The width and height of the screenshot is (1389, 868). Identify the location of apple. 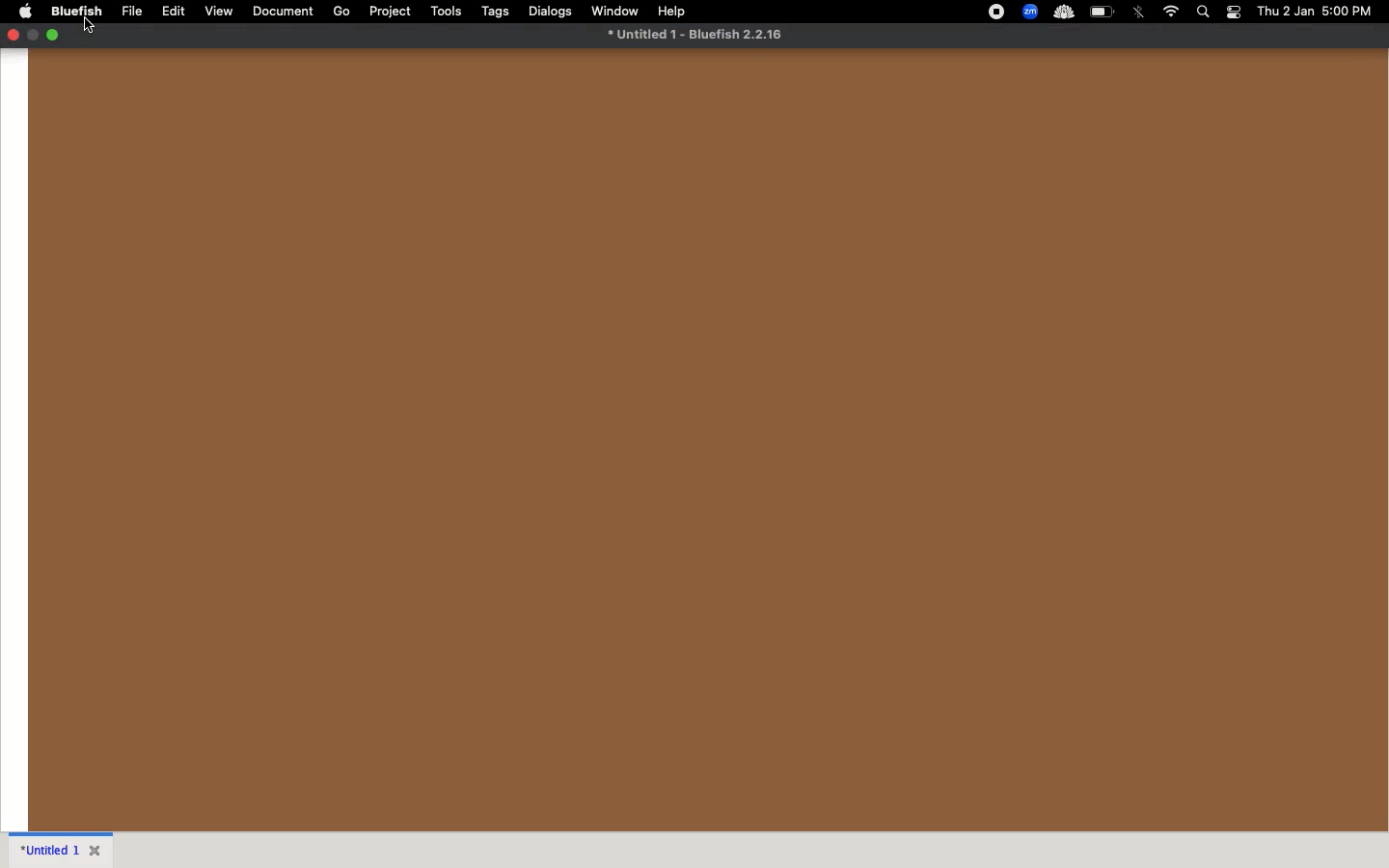
(24, 10).